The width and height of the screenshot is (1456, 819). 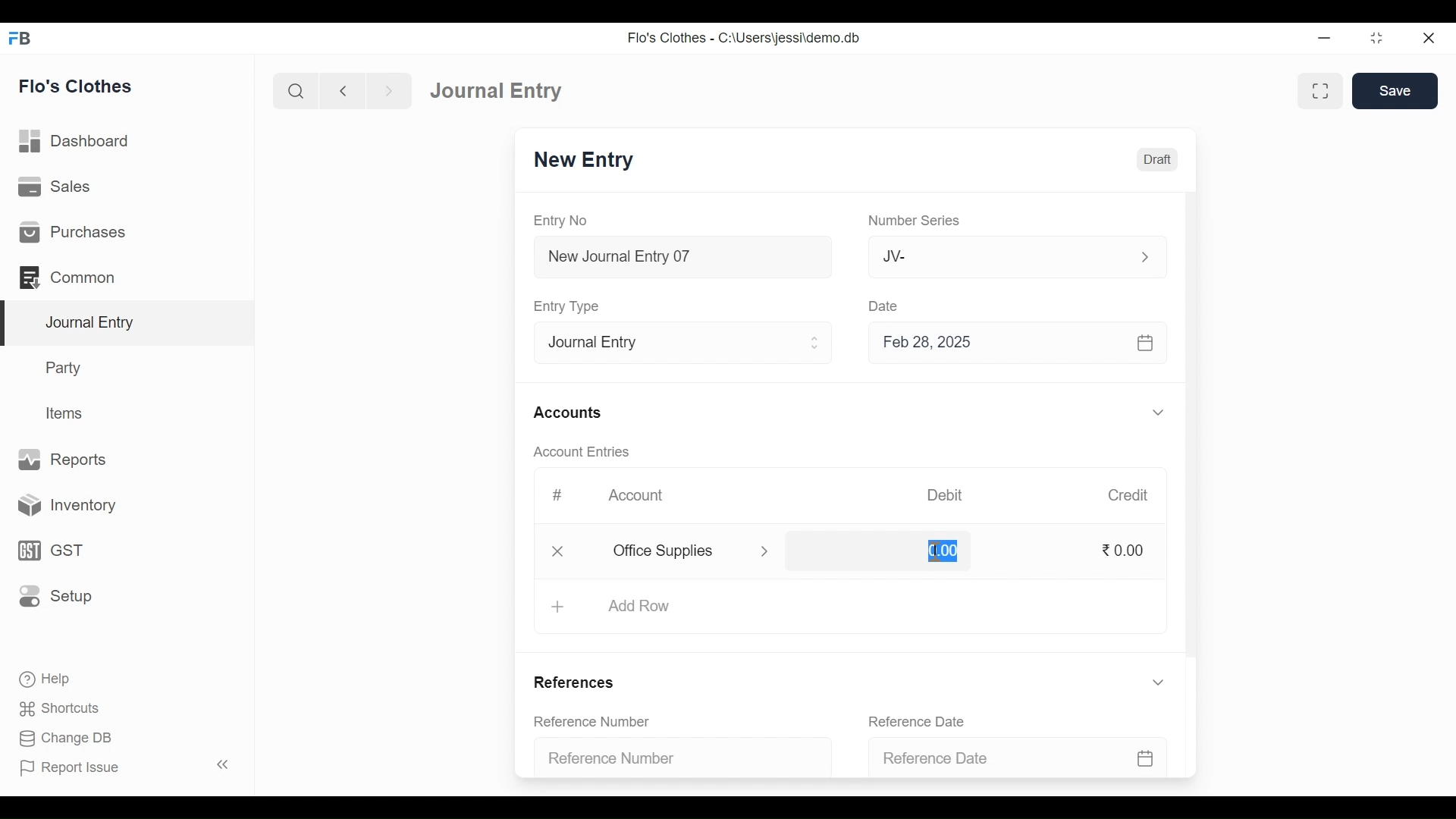 What do you see at coordinates (75, 140) in the screenshot?
I see `Dashboard` at bounding box center [75, 140].